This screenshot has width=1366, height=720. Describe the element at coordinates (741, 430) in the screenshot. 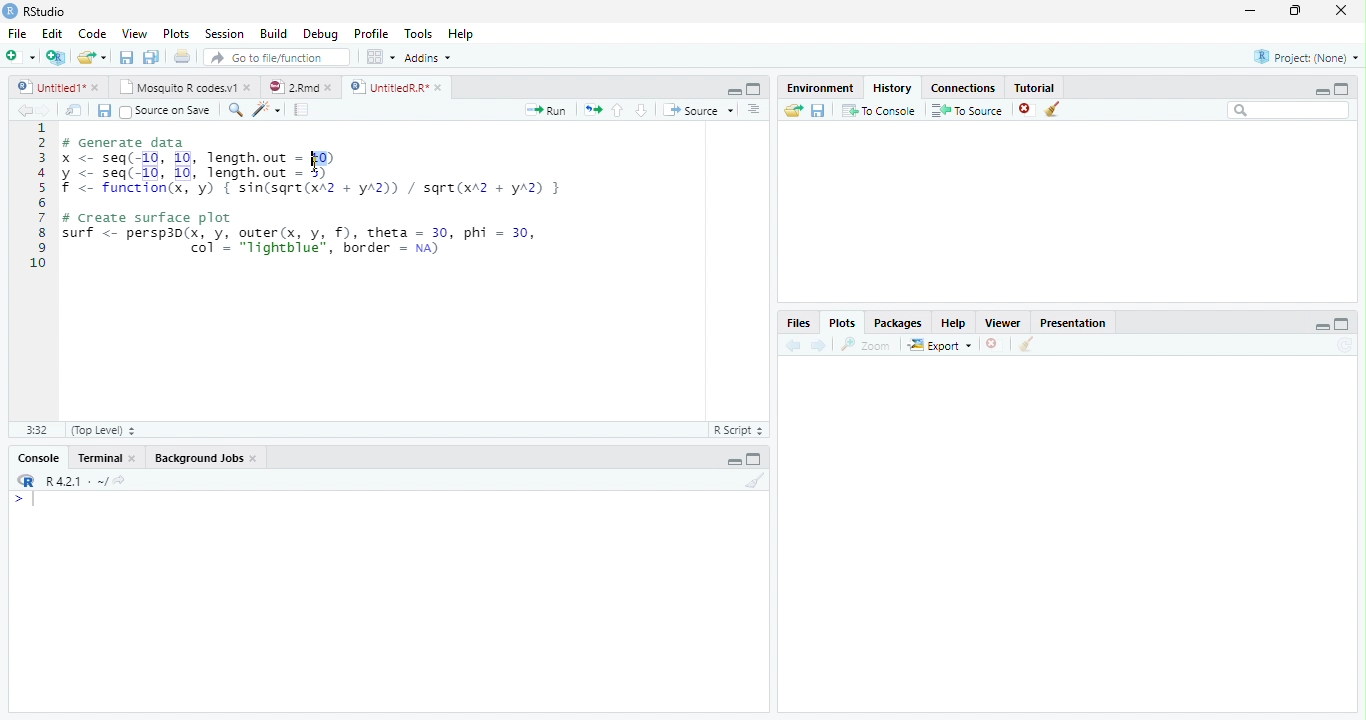

I see `R Script` at that location.